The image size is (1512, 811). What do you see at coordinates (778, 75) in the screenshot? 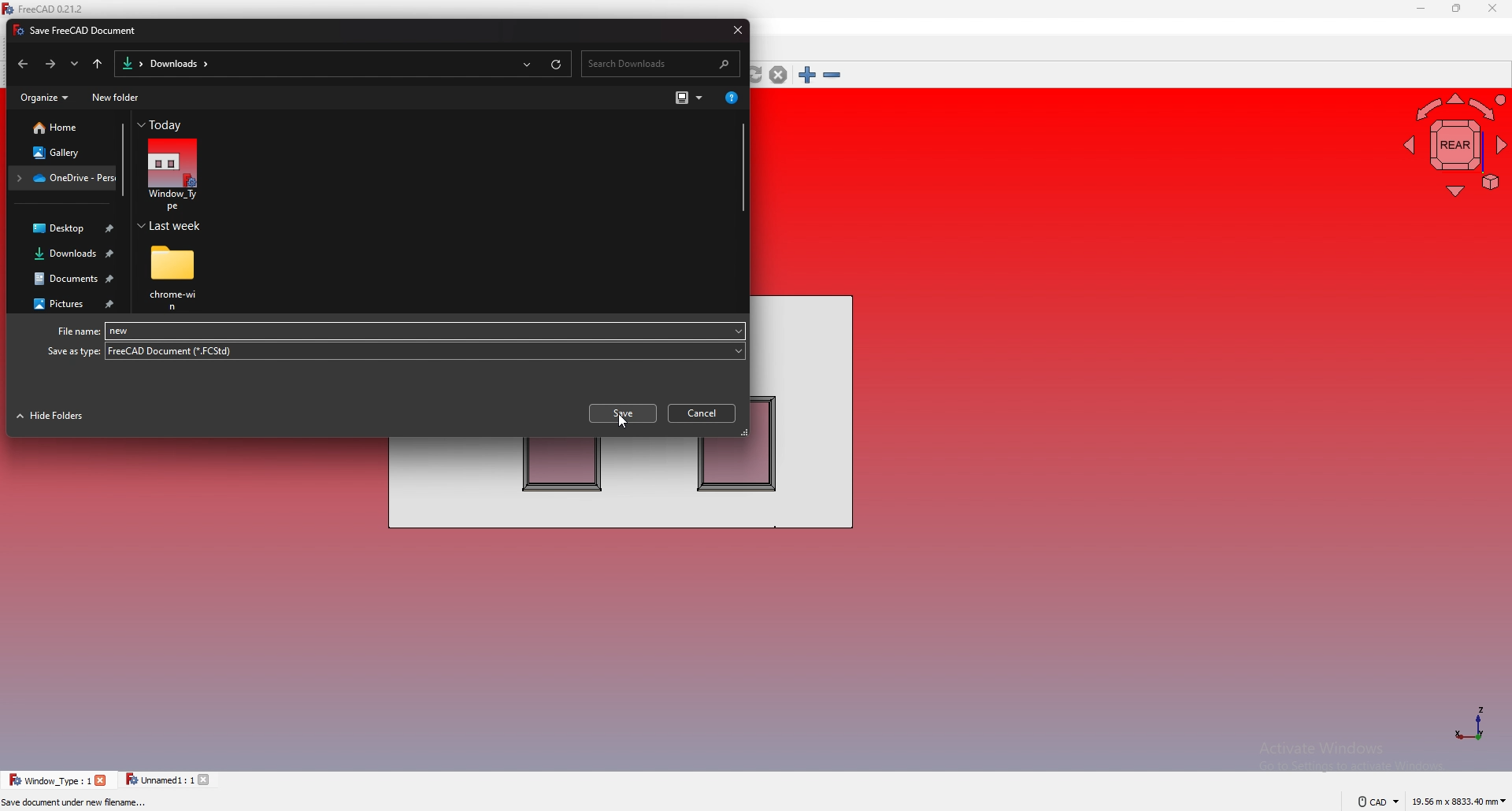
I see `stop loading` at bounding box center [778, 75].